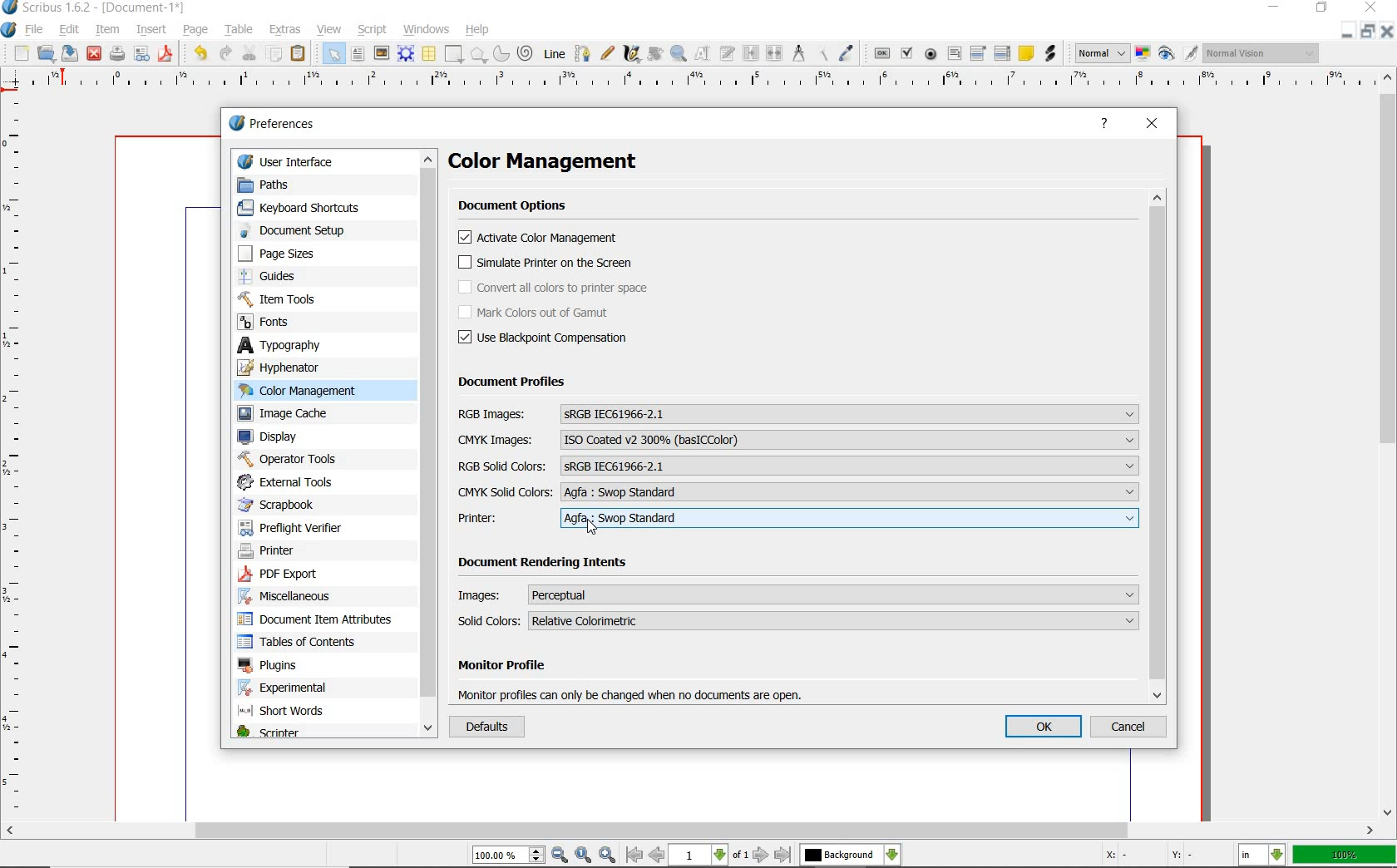  I want to click on scrapbook, so click(288, 506).